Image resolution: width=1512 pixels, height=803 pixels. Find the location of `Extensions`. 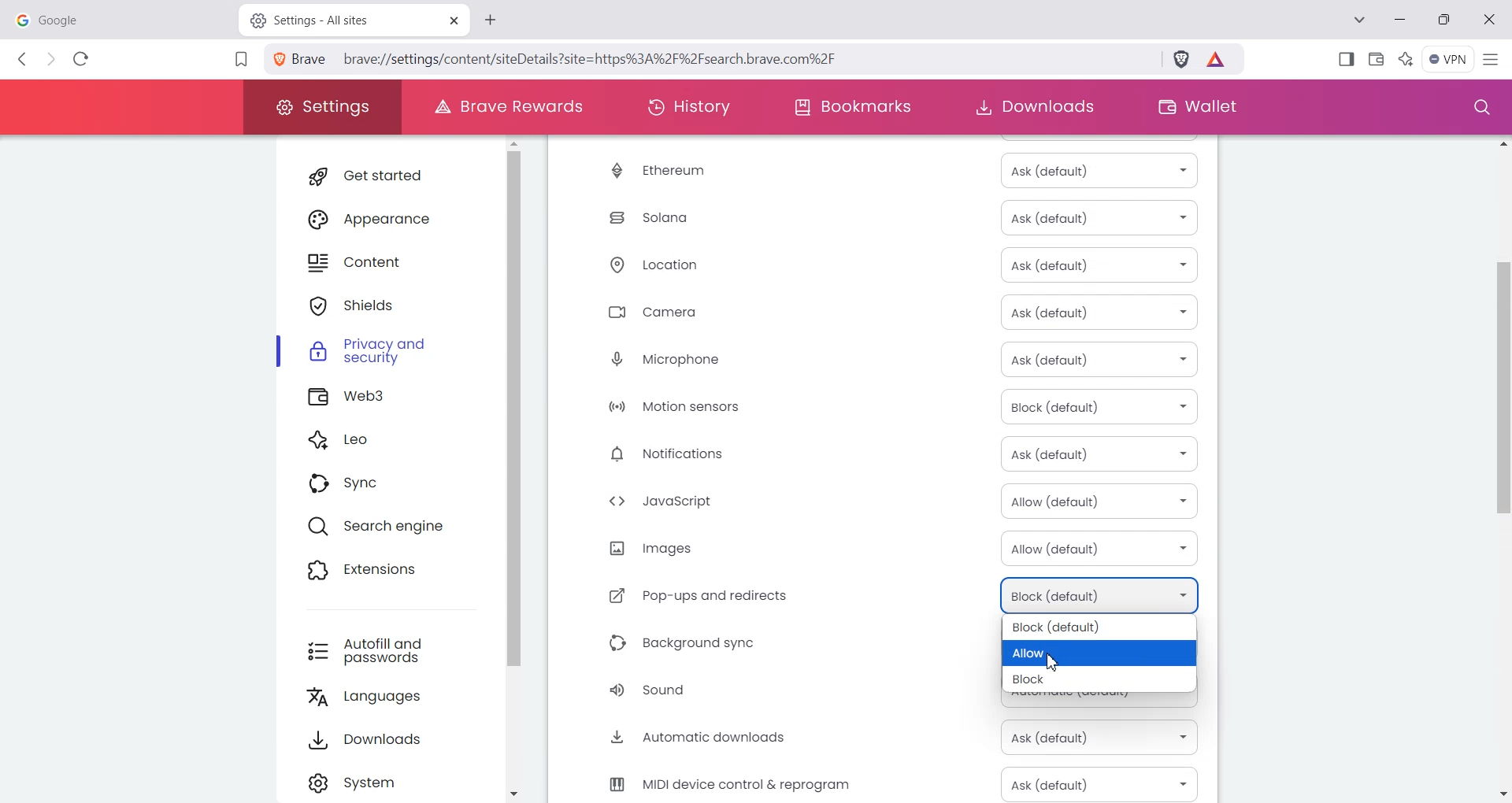

Extensions is located at coordinates (387, 572).